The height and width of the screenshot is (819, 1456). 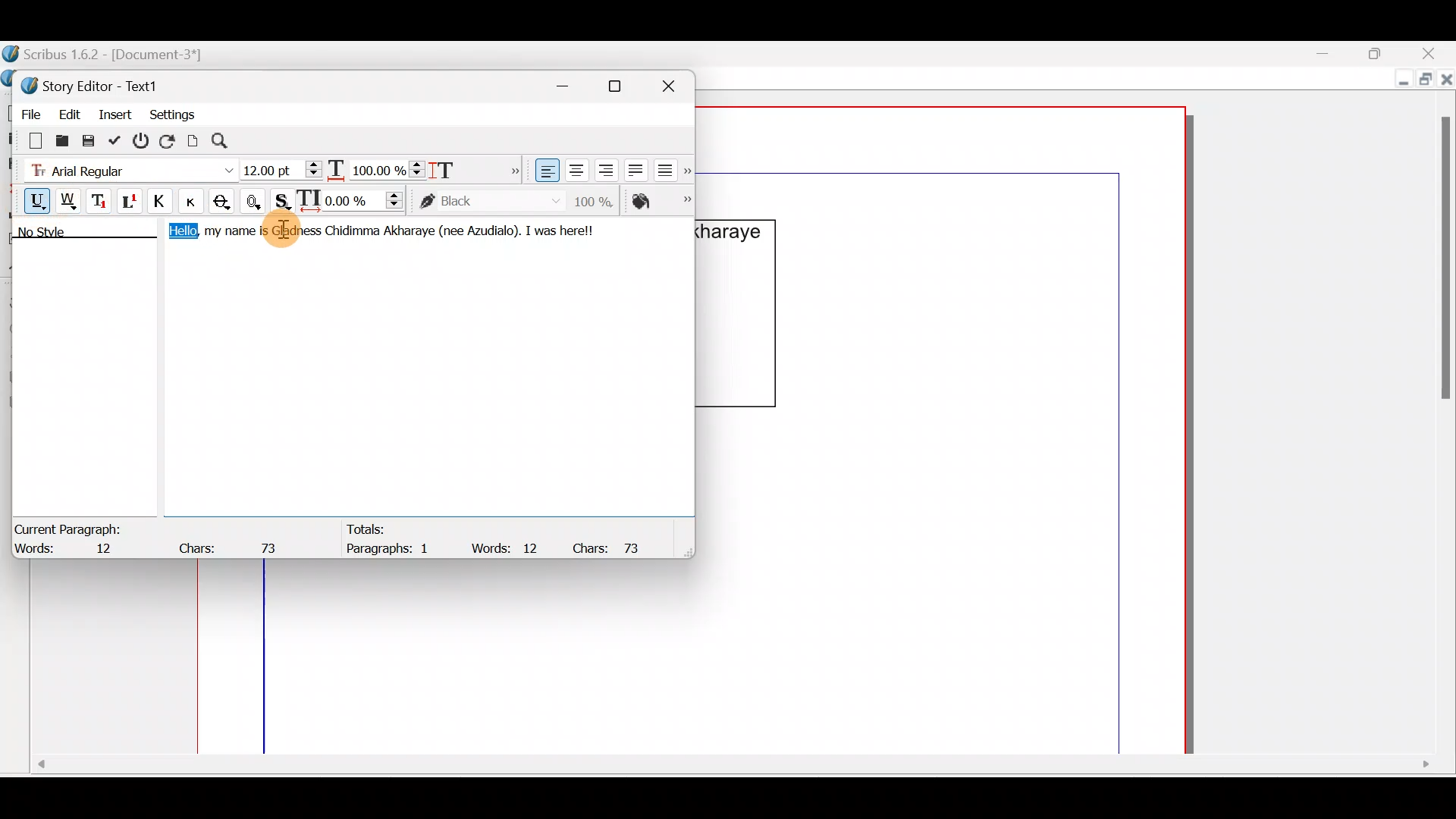 I want to click on Akharaye, so click(x=409, y=231).